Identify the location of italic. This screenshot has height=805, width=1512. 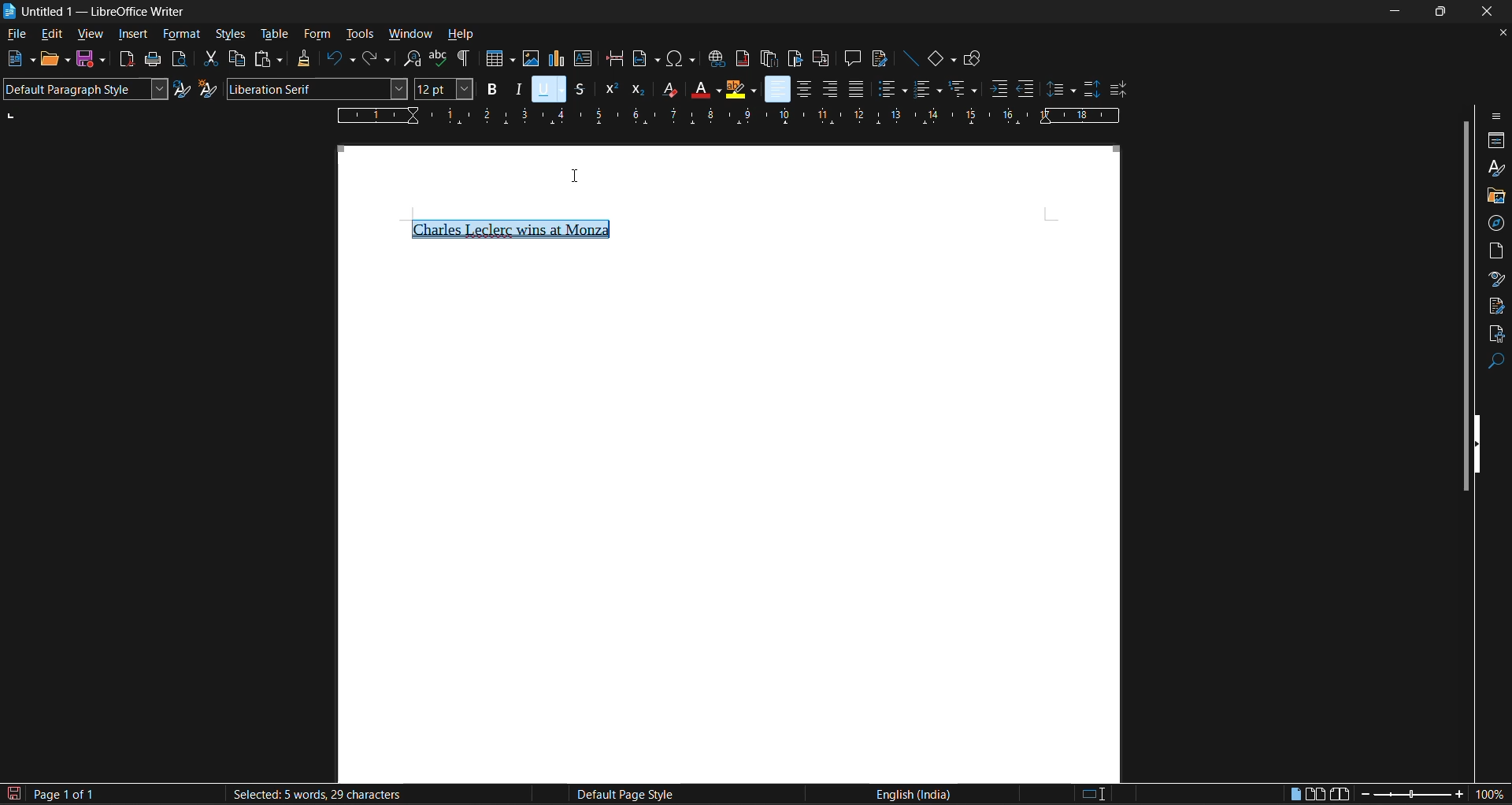
(517, 88).